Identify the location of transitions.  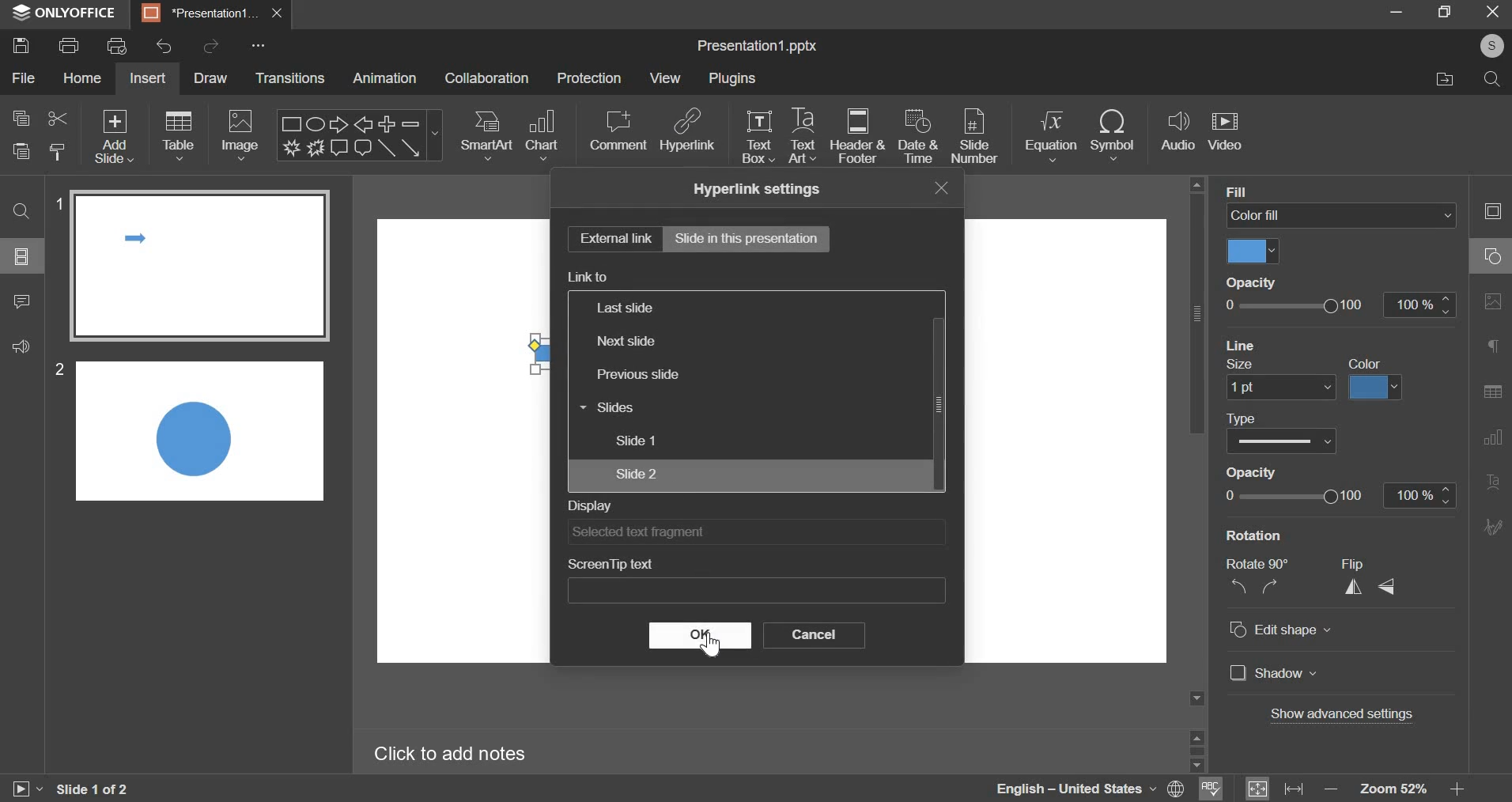
(287, 77).